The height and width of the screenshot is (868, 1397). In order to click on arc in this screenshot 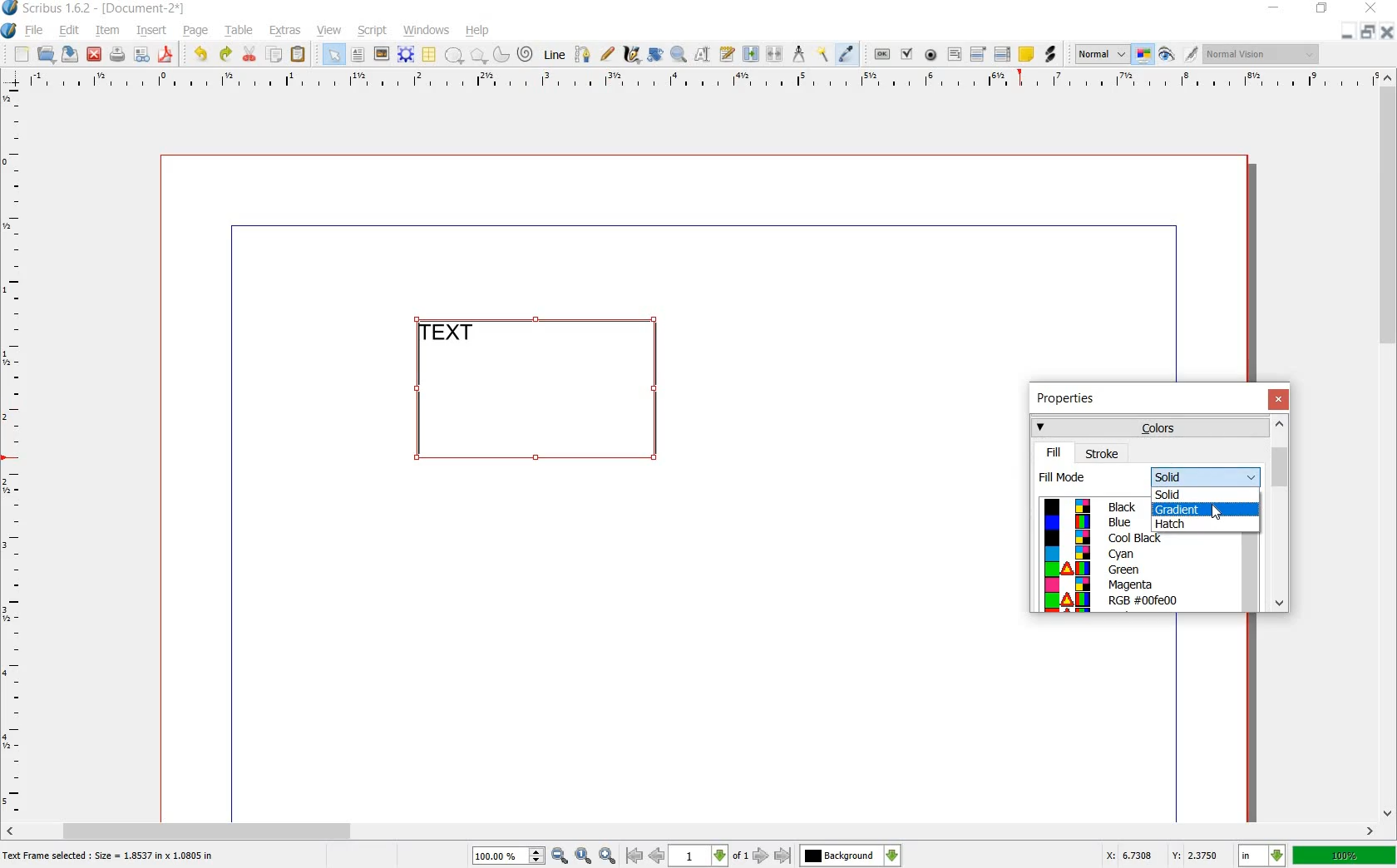, I will do `click(500, 53)`.